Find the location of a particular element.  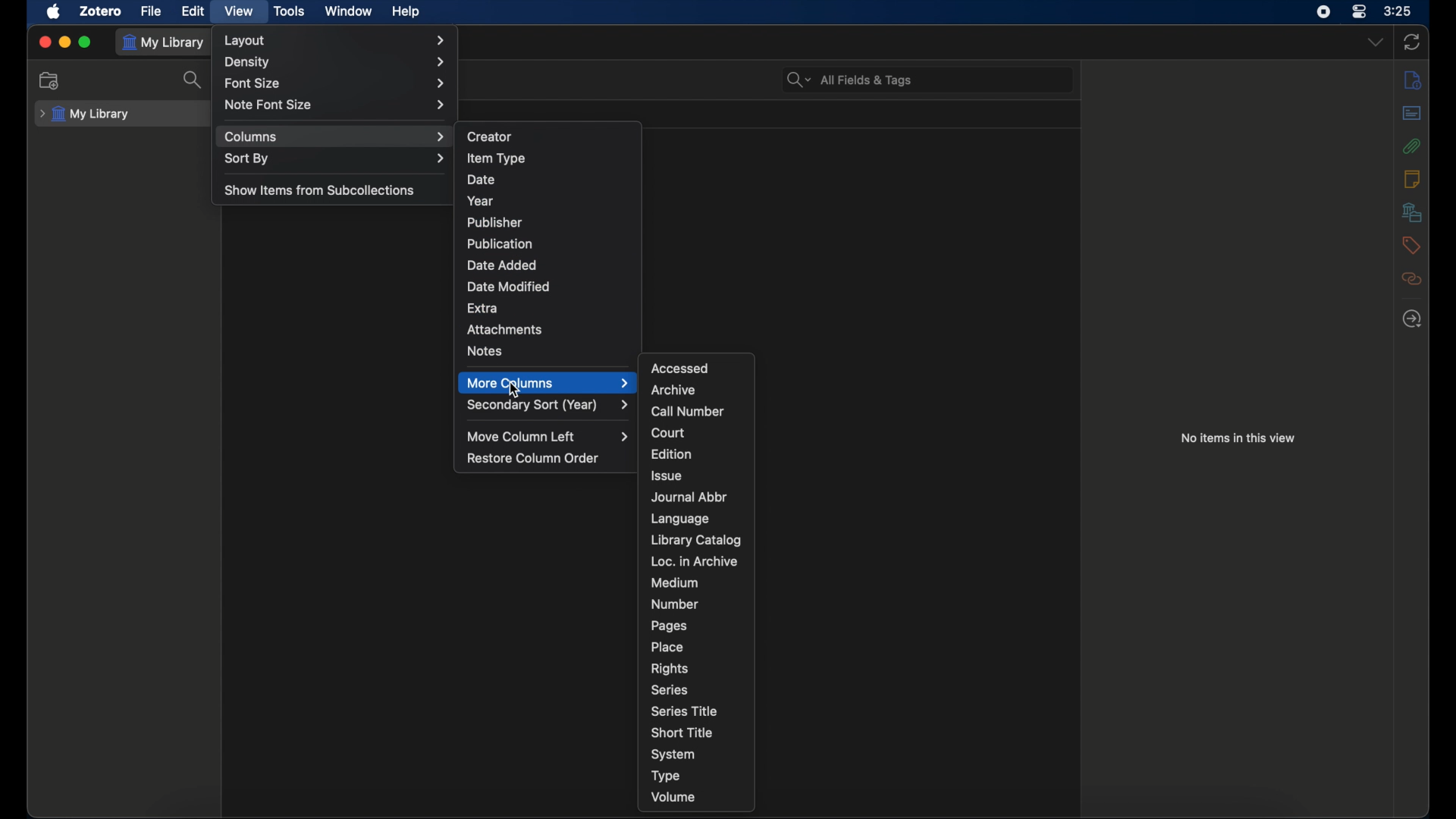

new collections is located at coordinates (49, 80).